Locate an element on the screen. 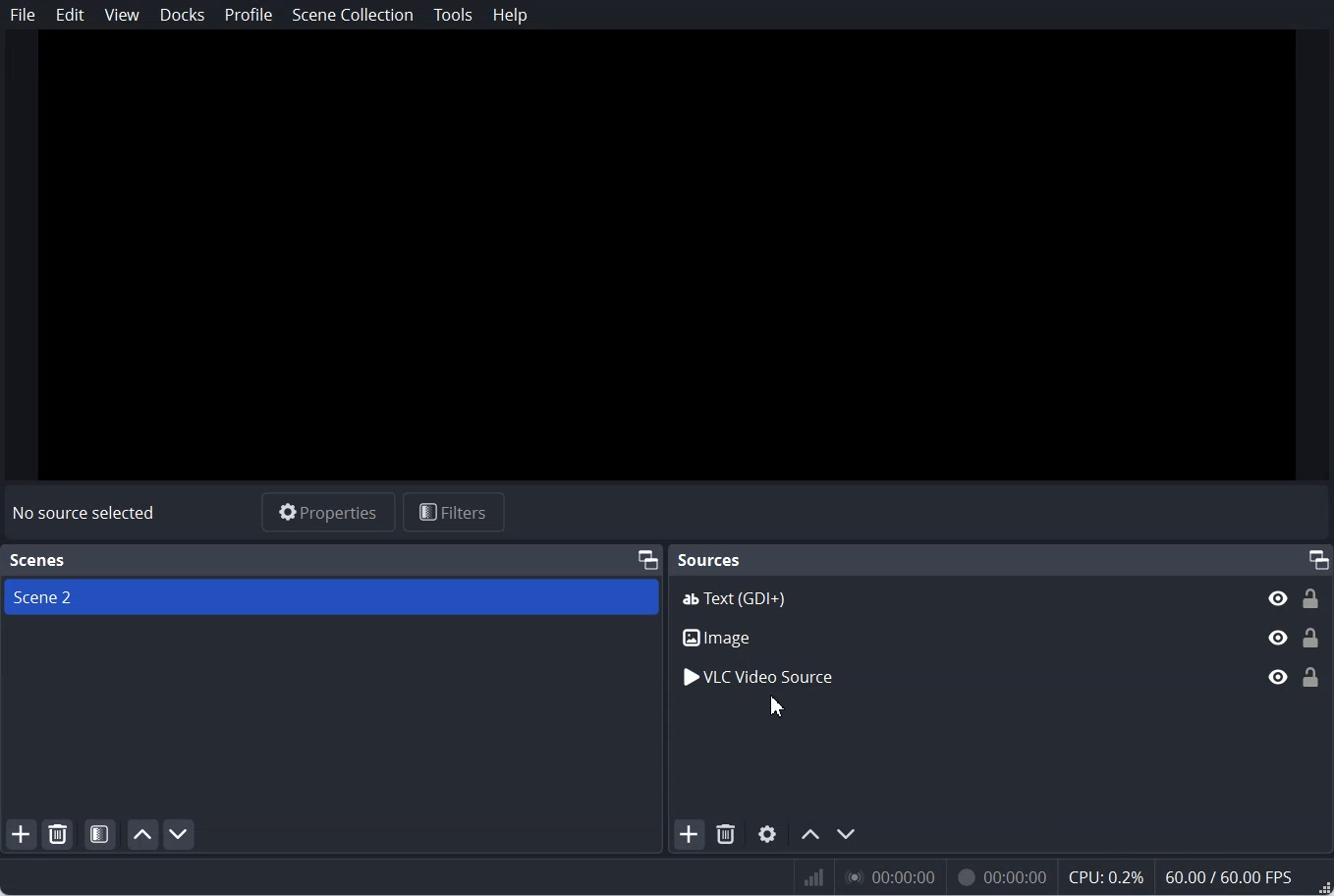 This screenshot has height=896, width=1334. Properties is located at coordinates (328, 513).